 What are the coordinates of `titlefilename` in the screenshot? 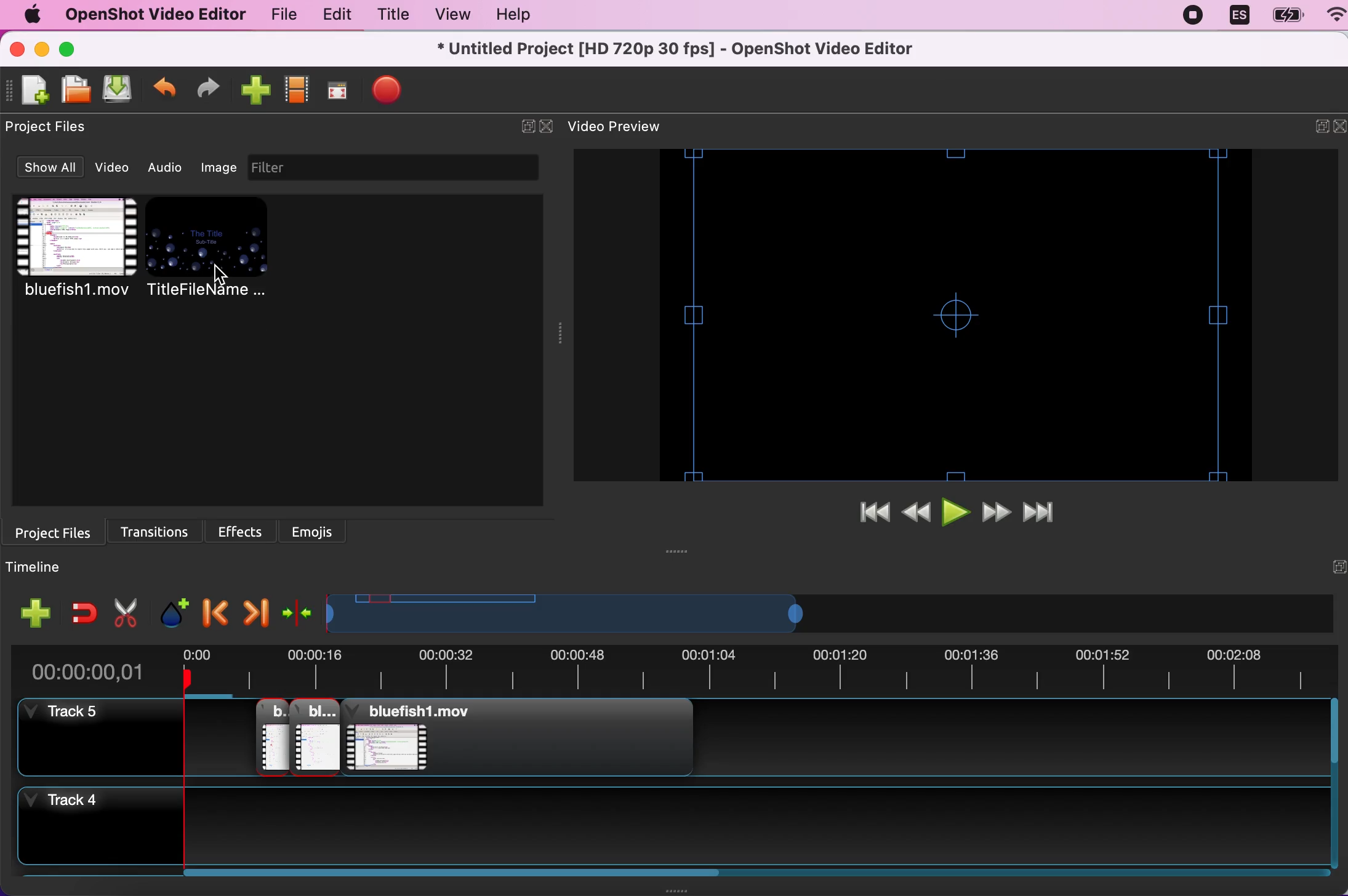 It's located at (215, 250).